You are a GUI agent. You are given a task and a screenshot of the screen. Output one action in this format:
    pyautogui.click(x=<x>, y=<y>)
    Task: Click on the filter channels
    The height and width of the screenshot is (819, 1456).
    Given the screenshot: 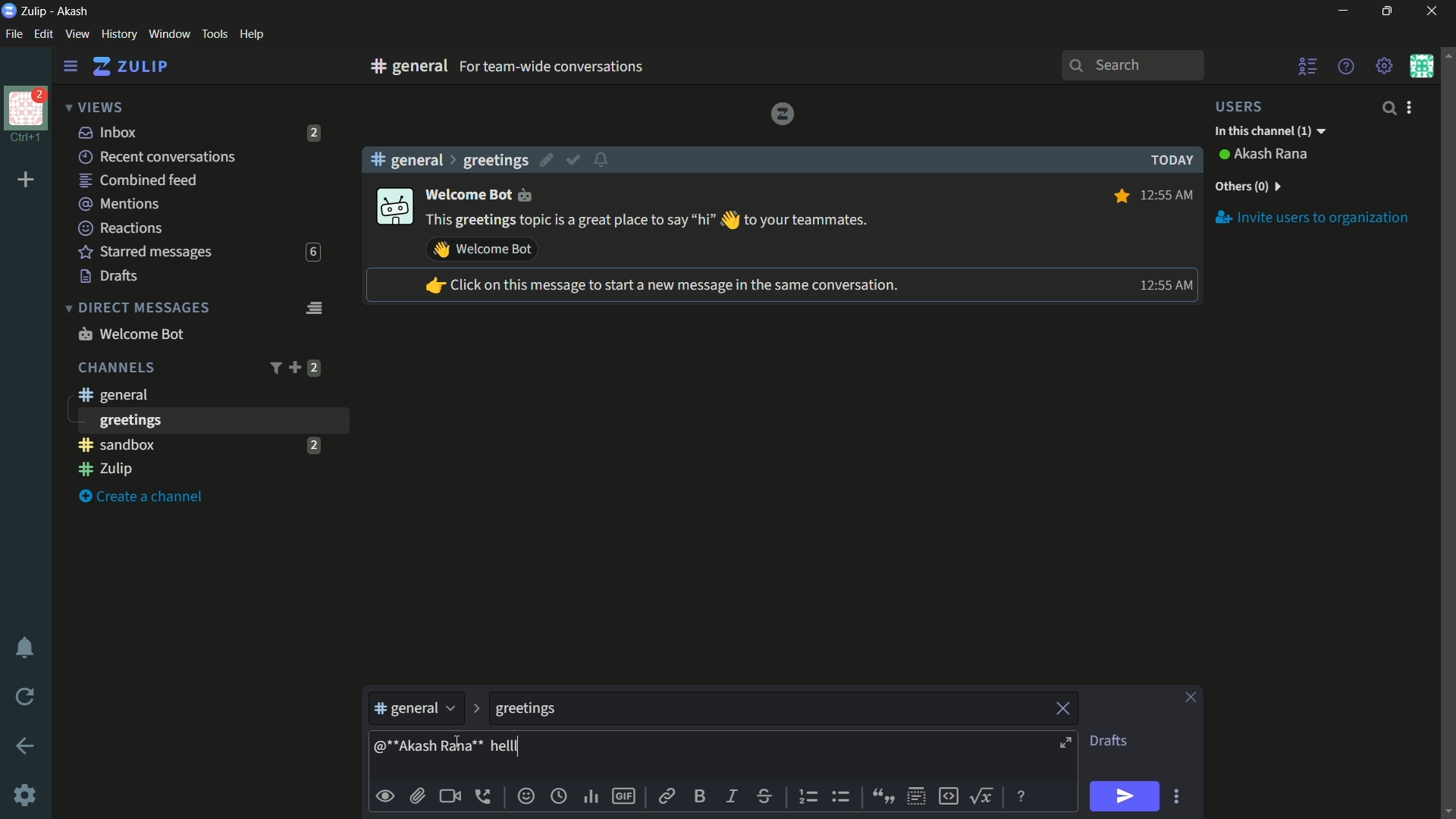 What is the action you would take?
    pyautogui.click(x=274, y=368)
    